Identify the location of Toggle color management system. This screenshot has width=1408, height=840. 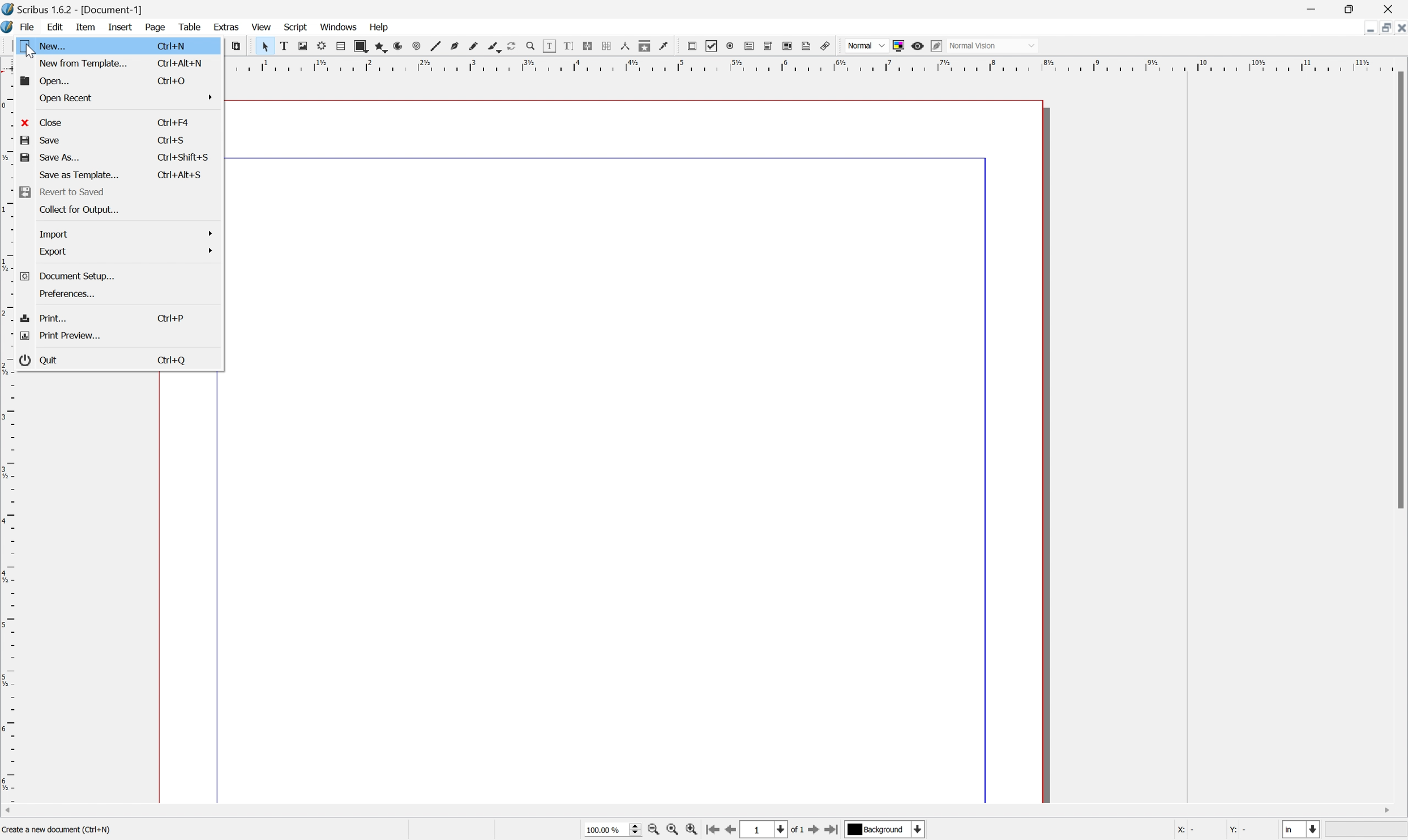
(898, 45).